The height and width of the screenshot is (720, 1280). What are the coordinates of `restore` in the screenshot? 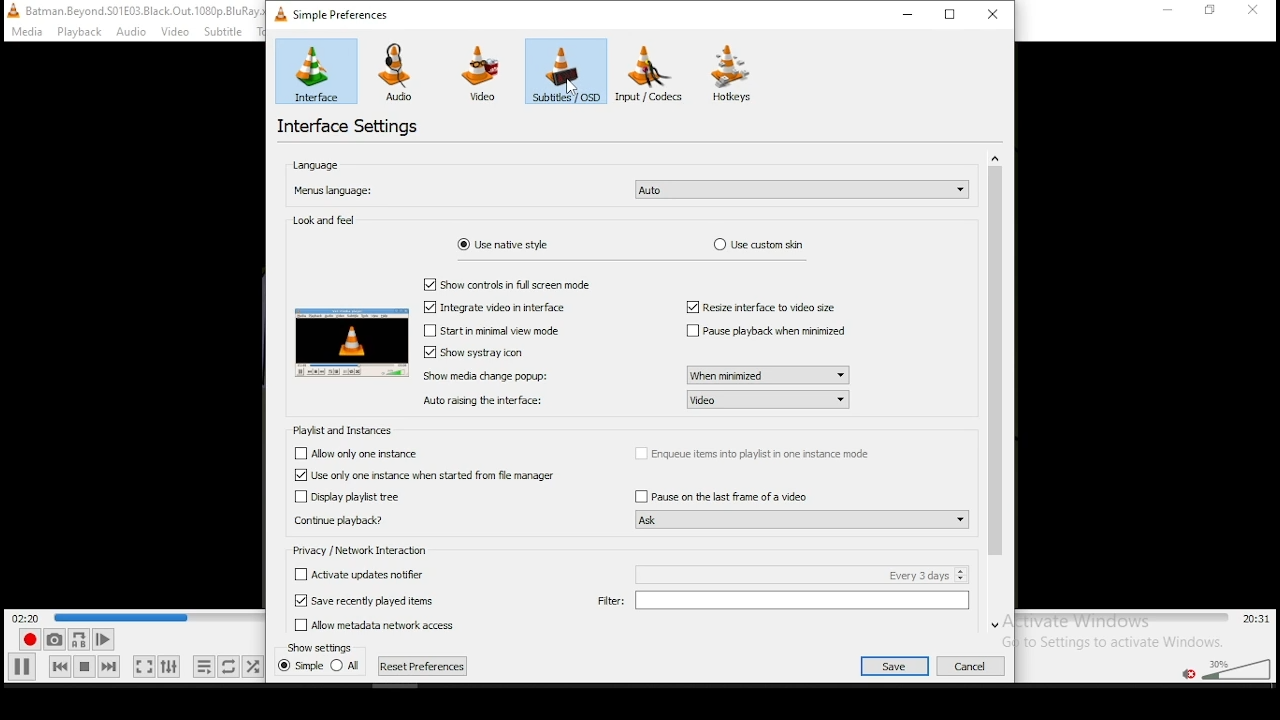 It's located at (952, 13).